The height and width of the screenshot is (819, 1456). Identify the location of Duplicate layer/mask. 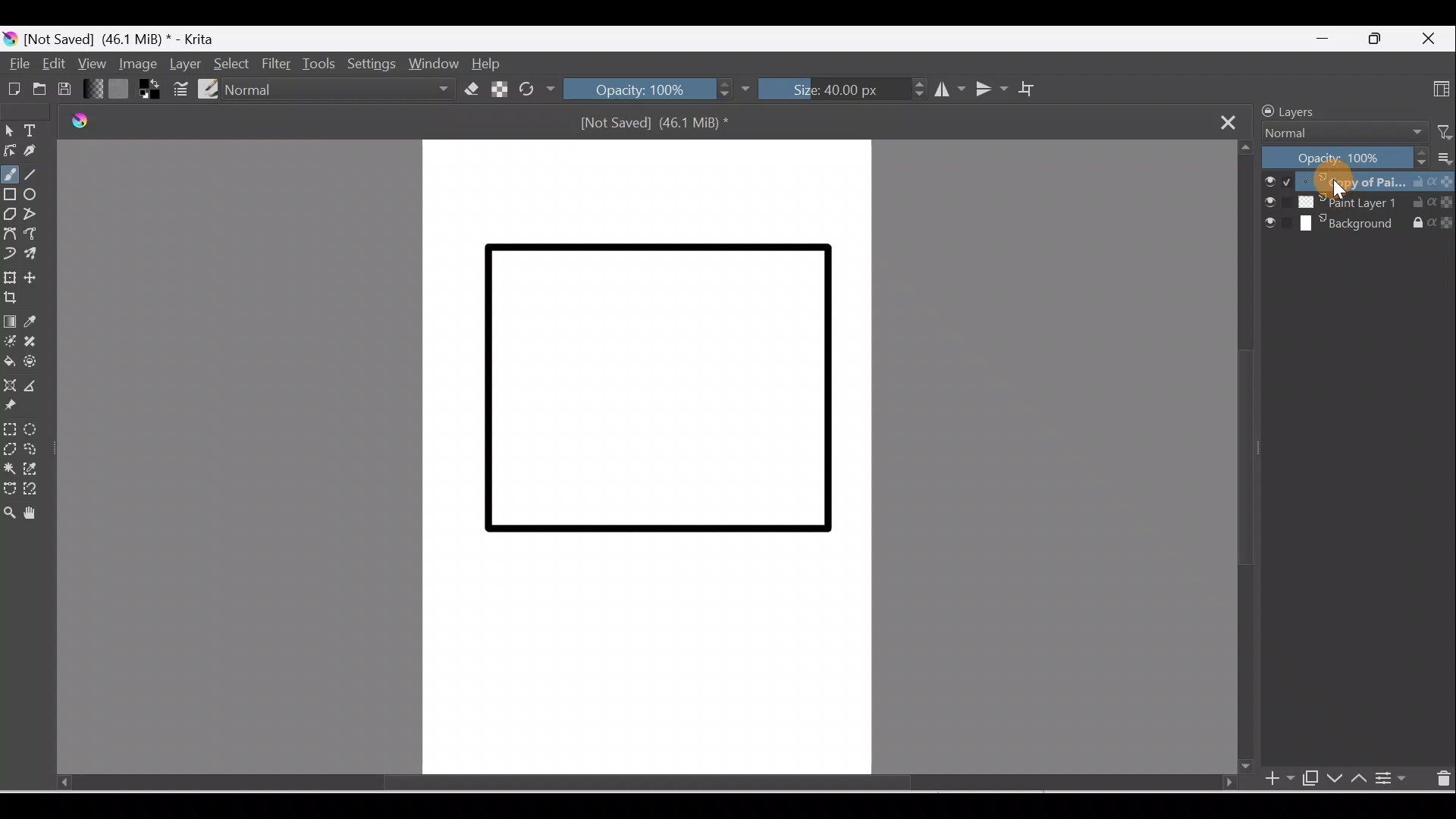
(1307, 777).